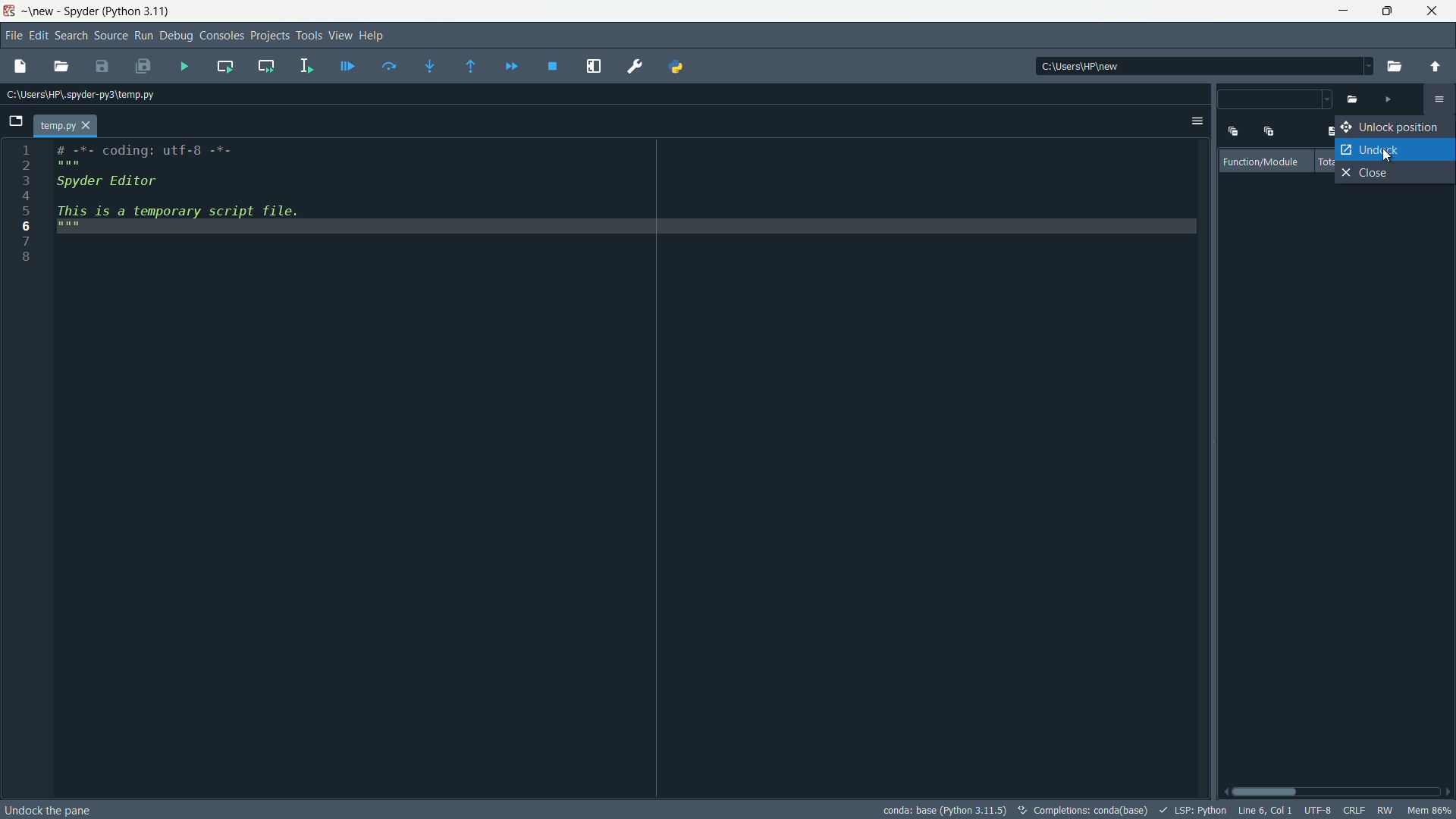 This screenshot has width=1456, height=819. What do you see at coordinates (175, 36) in the screenshot?
I see `debug menu` at bounding box center [175, 36].